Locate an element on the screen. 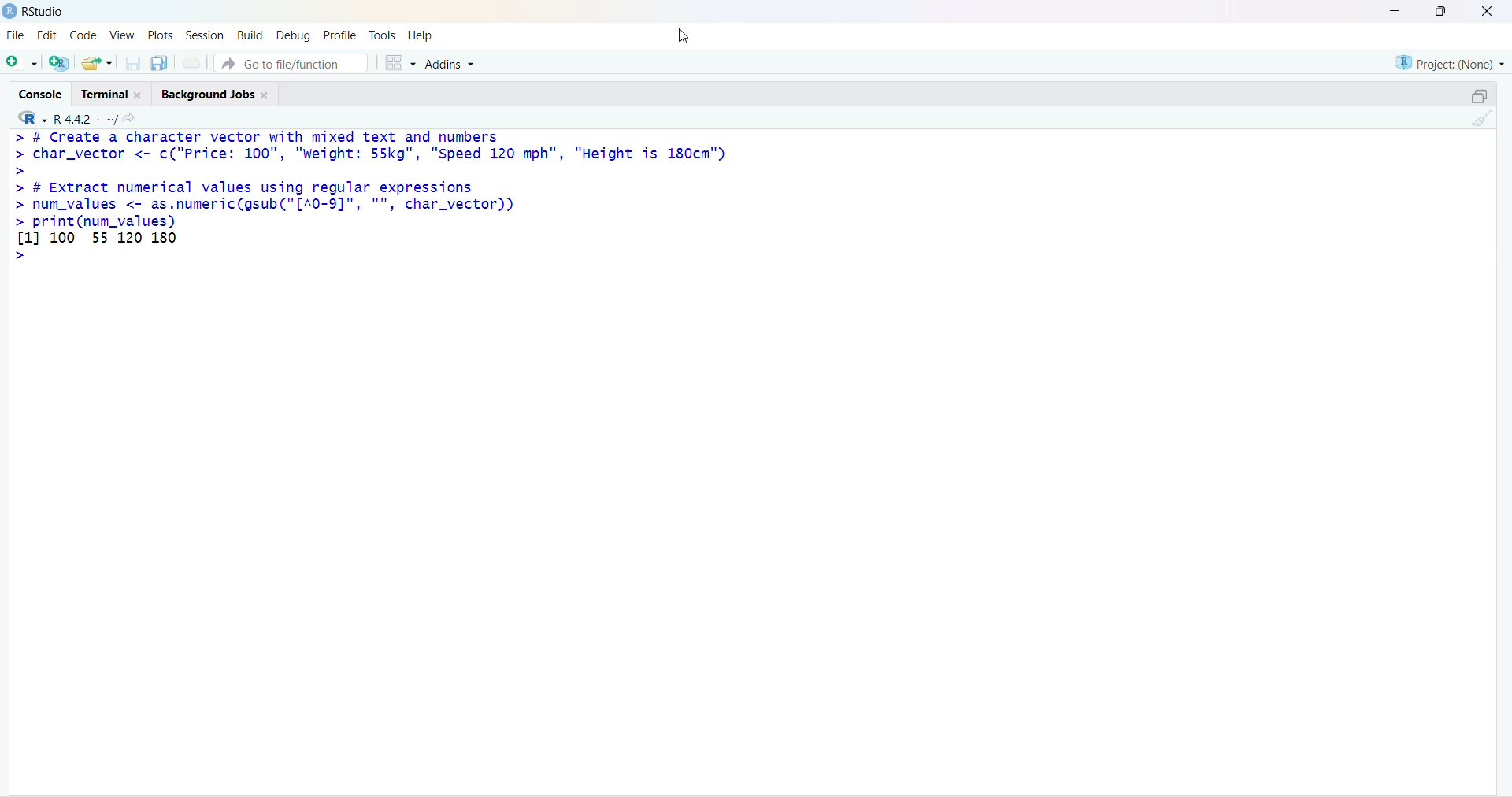  print is located at coordinates (193, 61).